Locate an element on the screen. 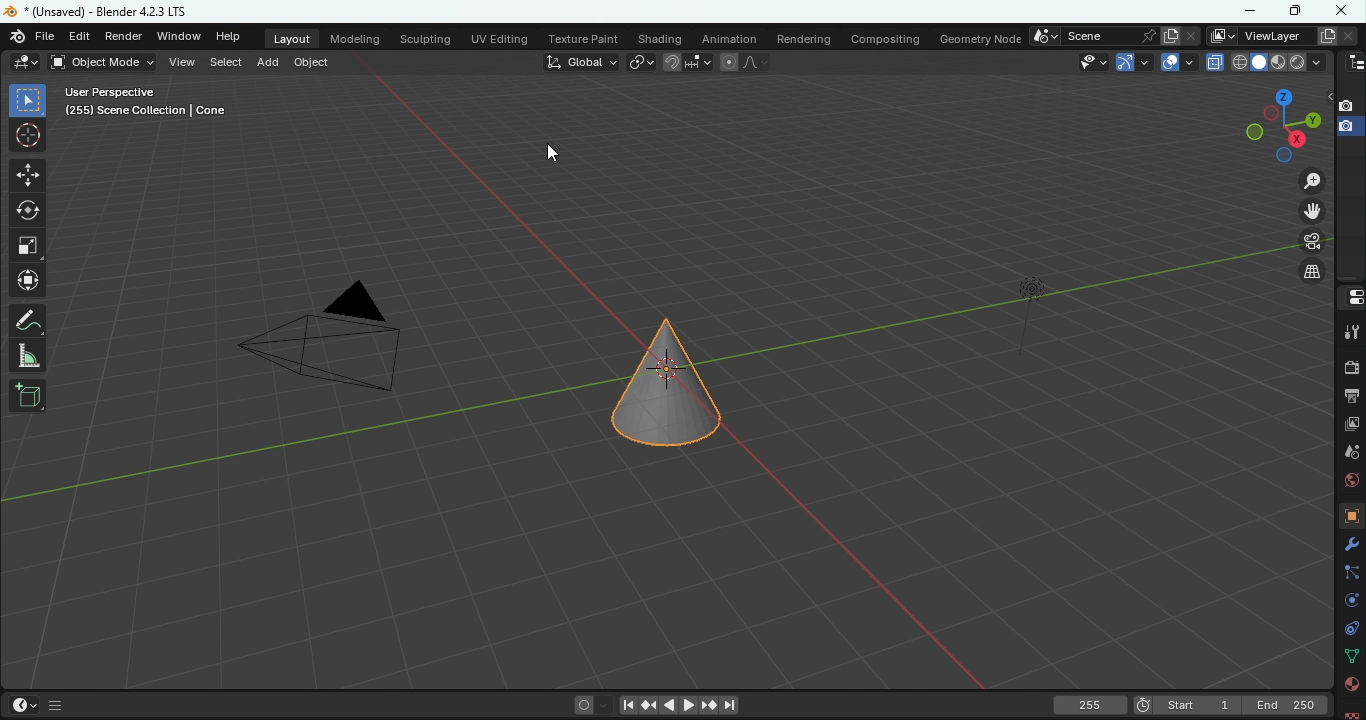 This screenshot has height=720, width=1366. Rendering is located at coordinates (805, 38).